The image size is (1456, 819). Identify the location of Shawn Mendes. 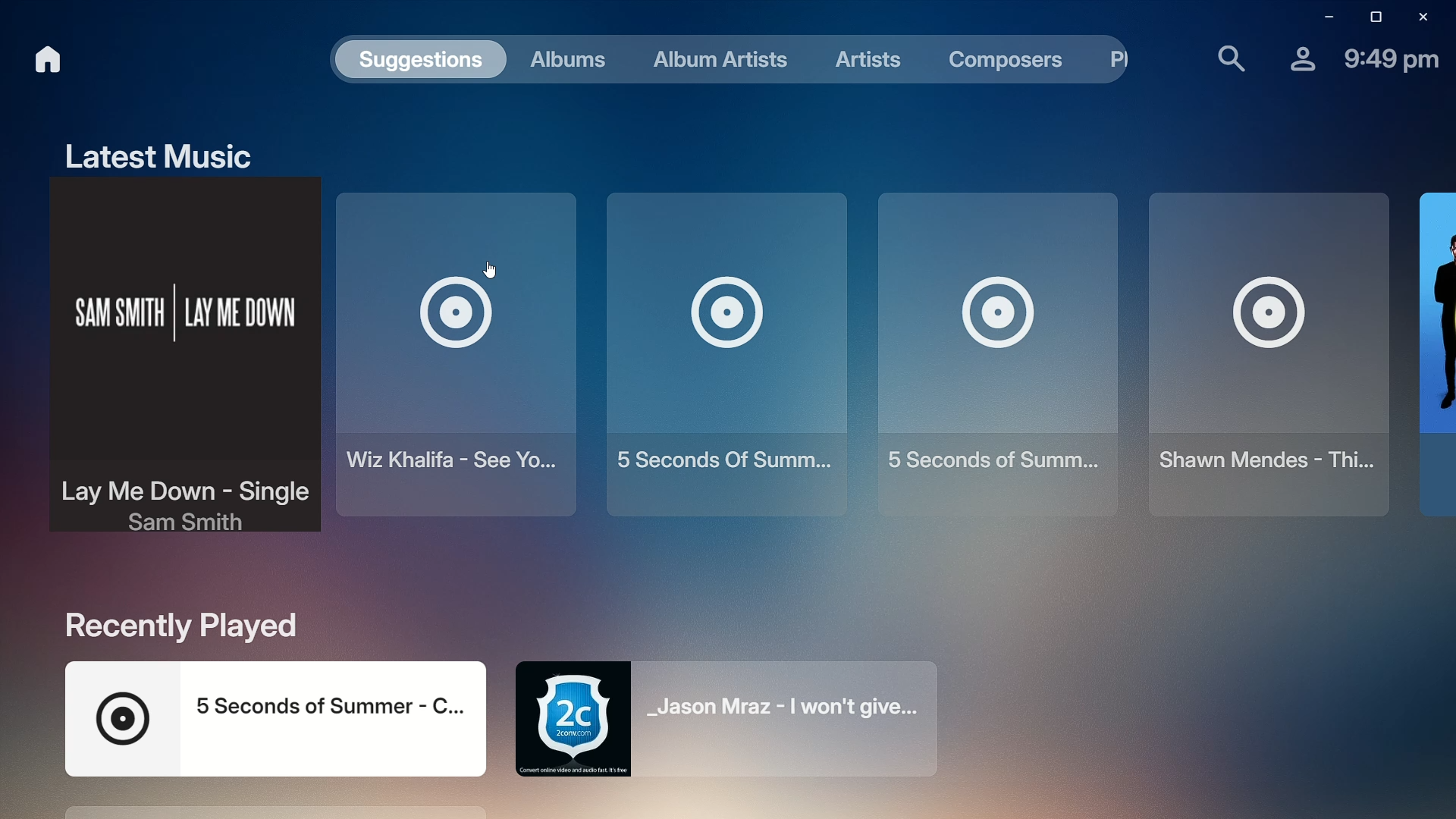
(1260, 353).